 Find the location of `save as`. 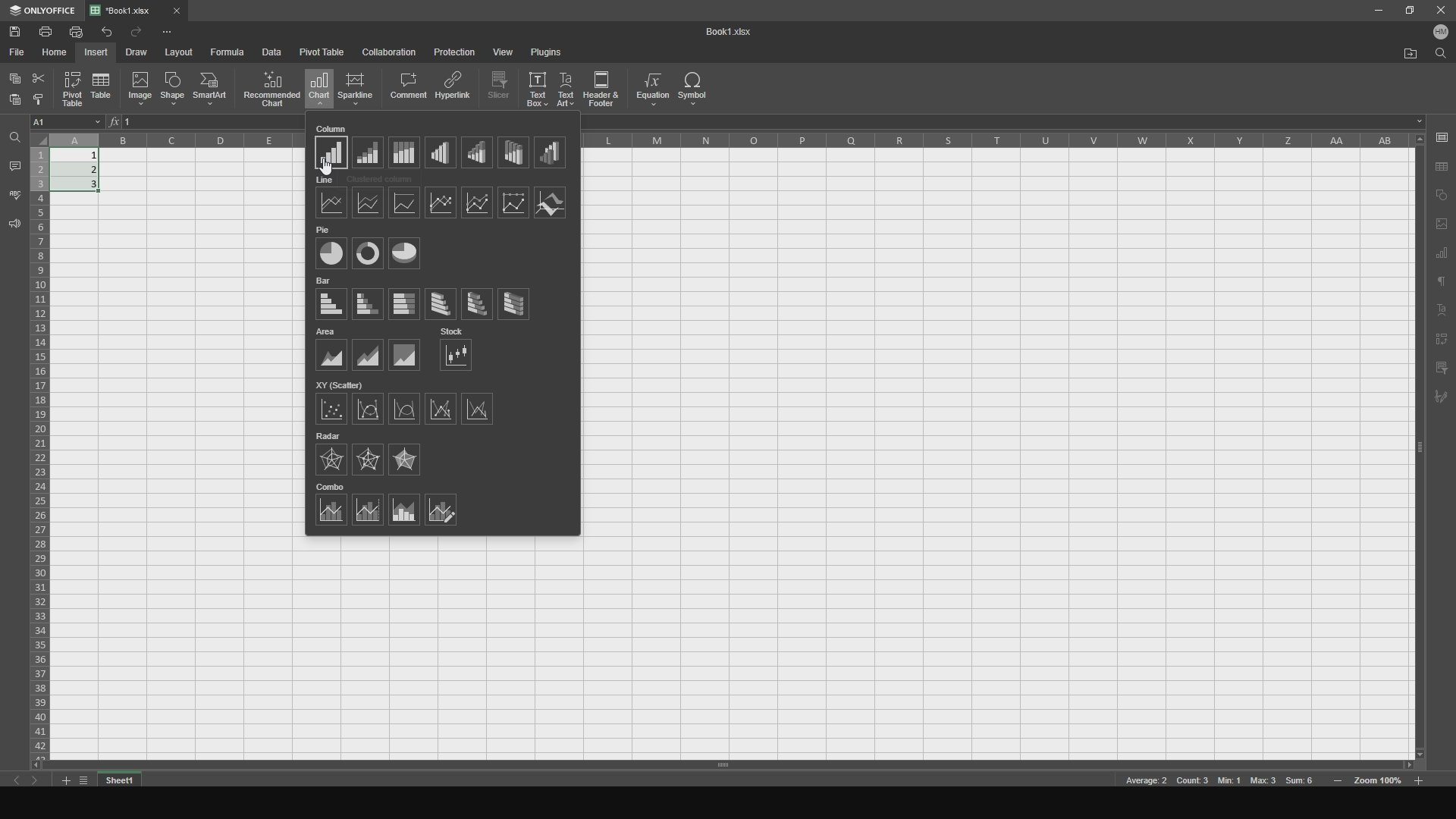

save as is located at coordinates (1442, 166).